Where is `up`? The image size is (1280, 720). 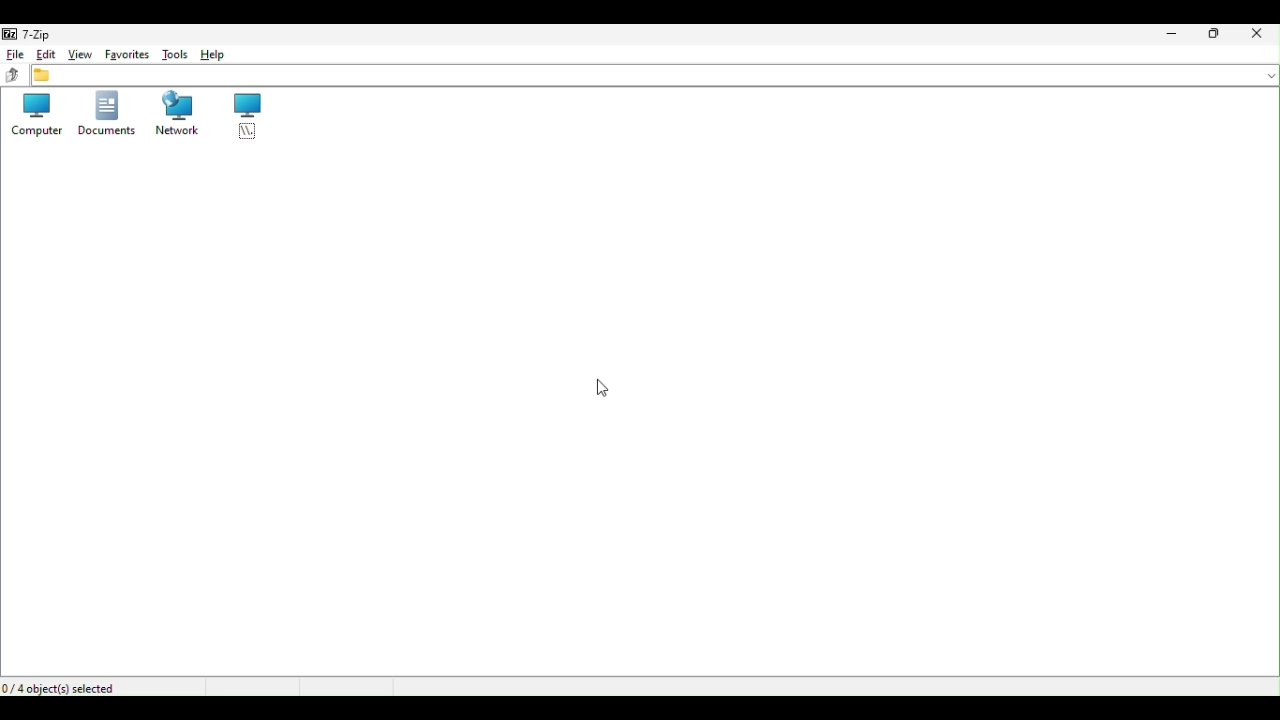
up is located at coordinates (11, 76).